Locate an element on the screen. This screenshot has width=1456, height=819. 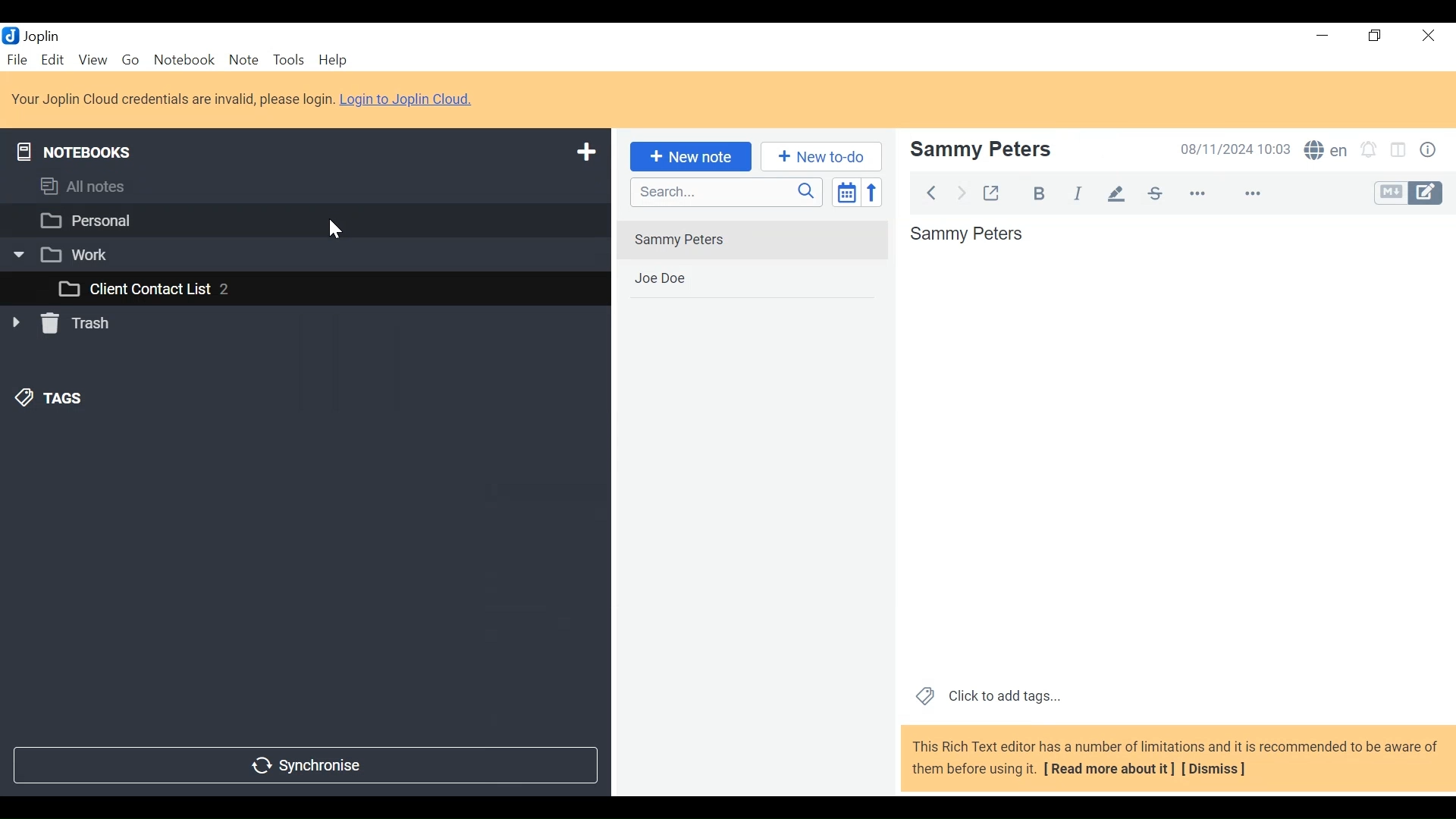
Close is located at coordinates (1429, 34).